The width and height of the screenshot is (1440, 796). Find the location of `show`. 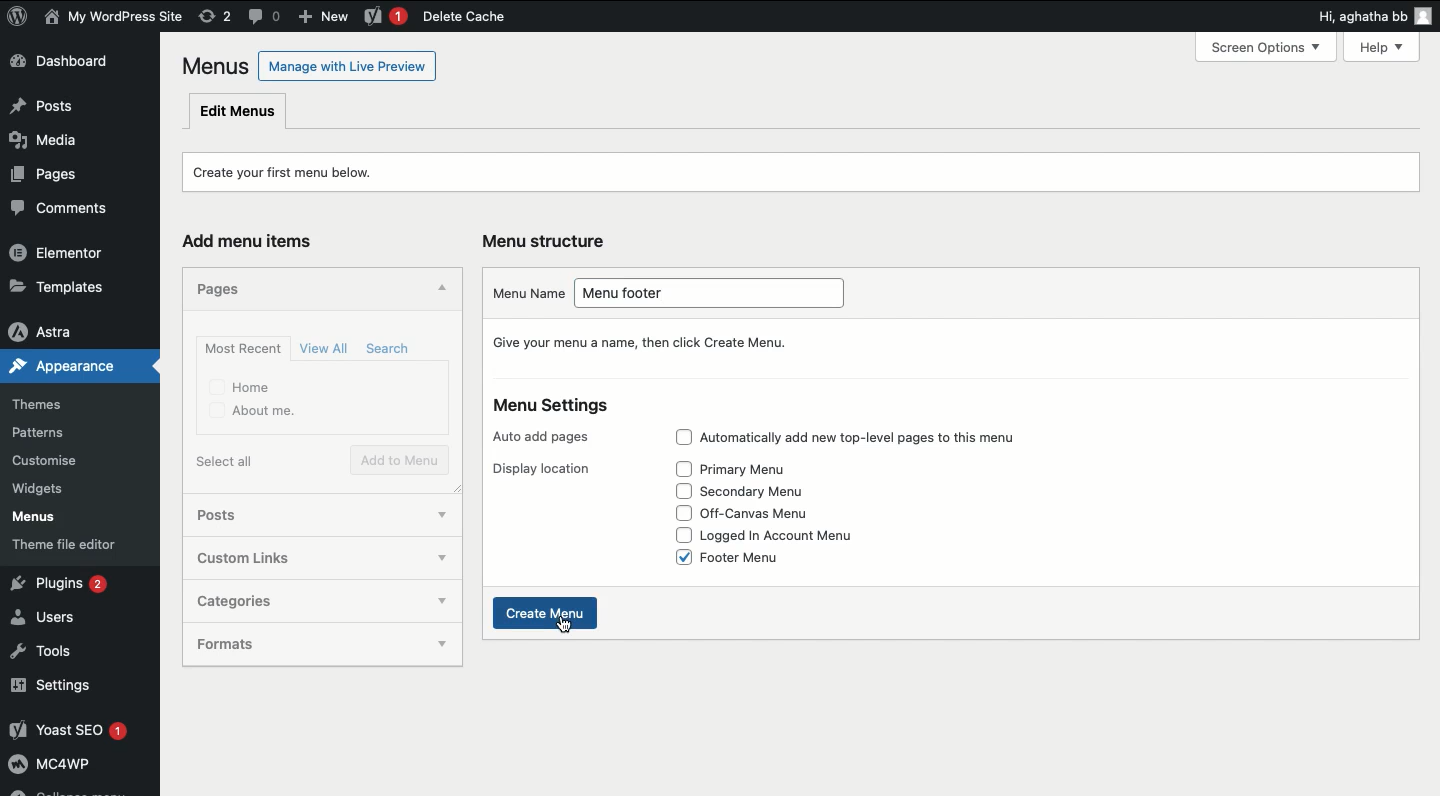

show is located at coordinates (437, 515).